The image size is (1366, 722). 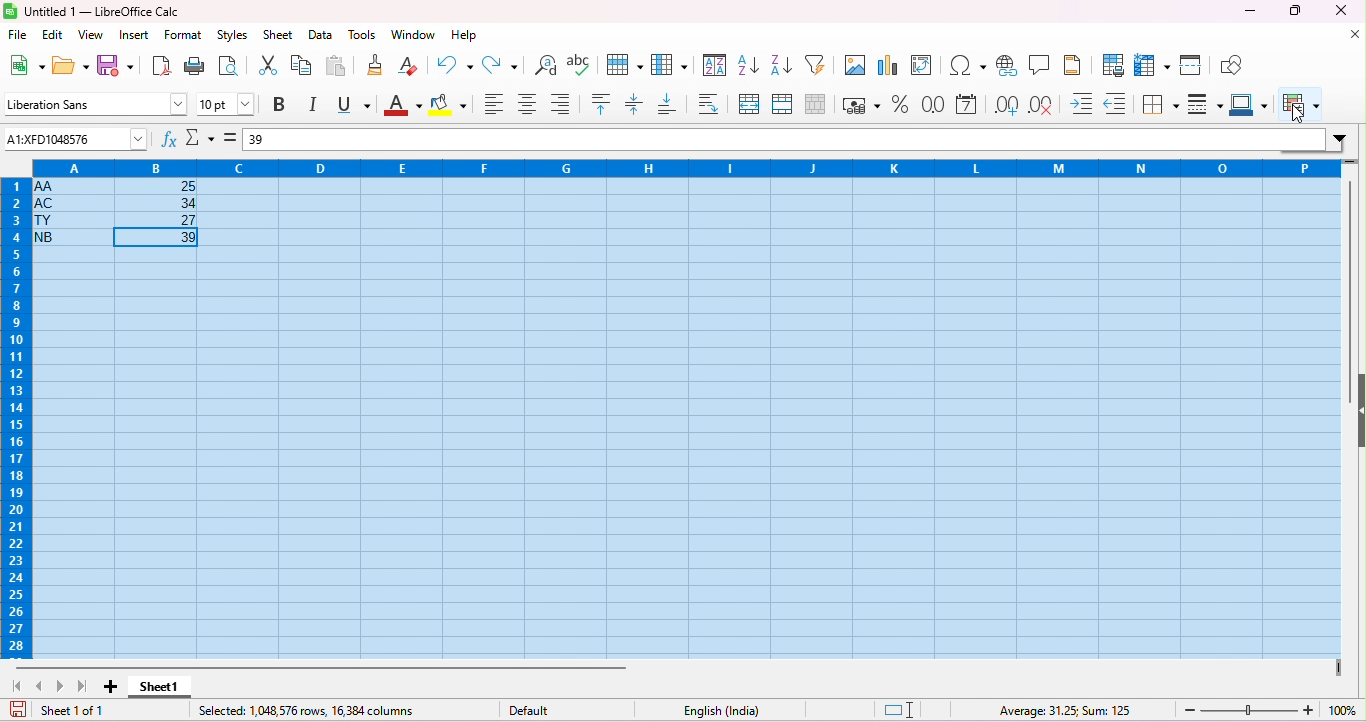 I want to click on sheet 1 of 1, so click(x=74, y=711).